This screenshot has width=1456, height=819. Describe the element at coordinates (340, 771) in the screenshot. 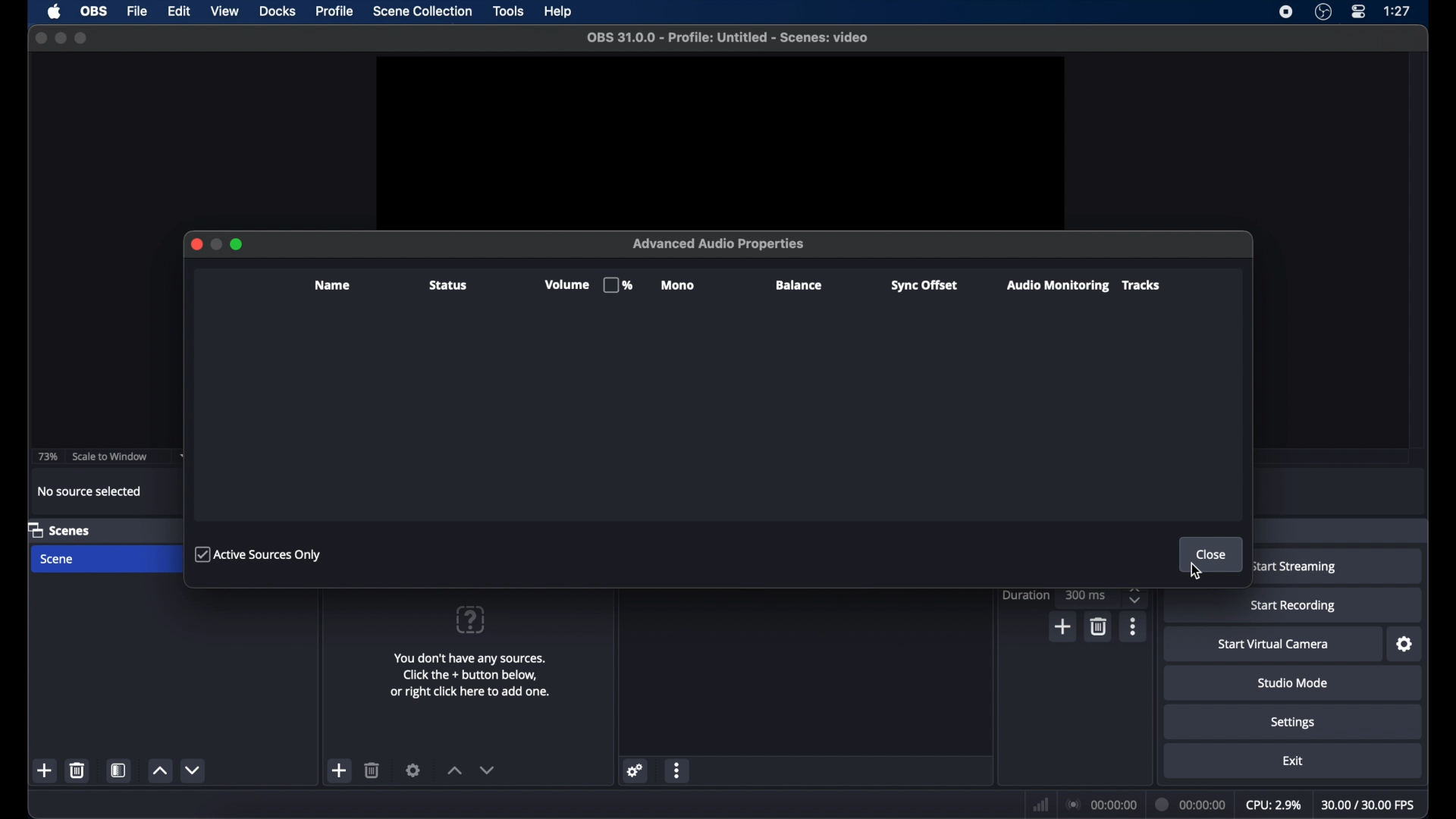

I see `add` at that location.